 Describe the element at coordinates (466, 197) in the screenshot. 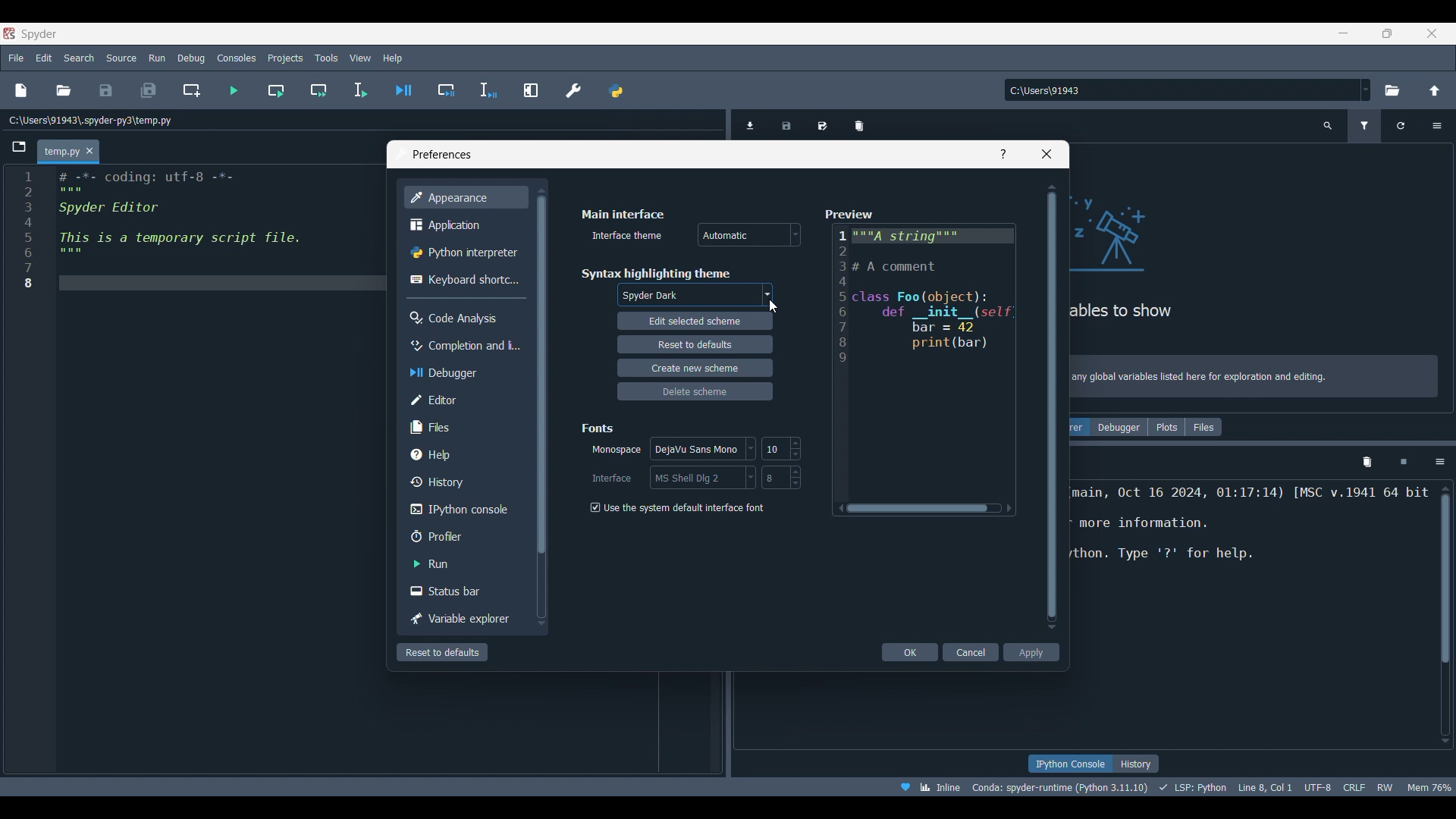

I see `Appearance, current selection highlighted` at that location.